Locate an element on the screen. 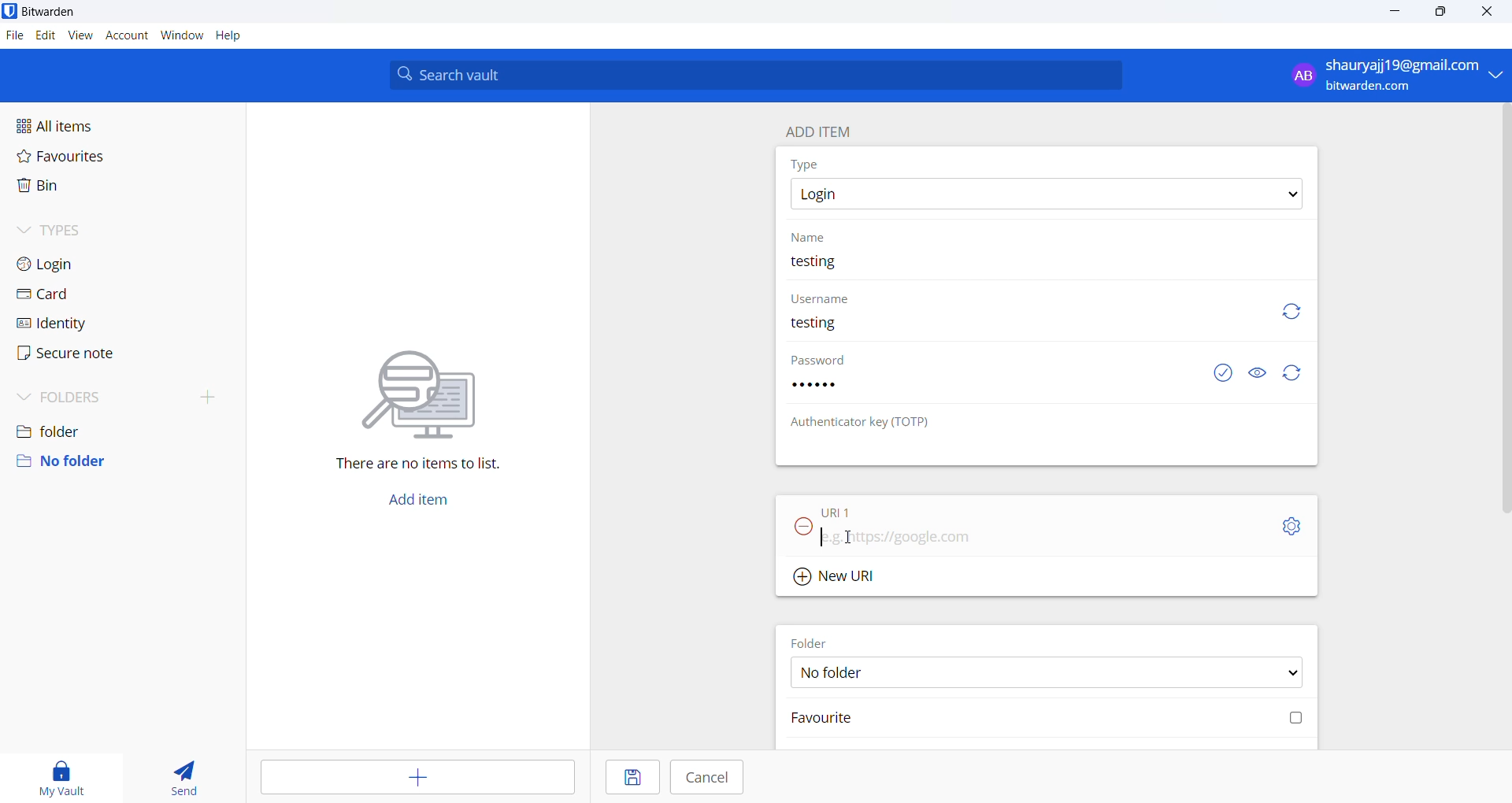  folder is located at coordinates (119, 427).